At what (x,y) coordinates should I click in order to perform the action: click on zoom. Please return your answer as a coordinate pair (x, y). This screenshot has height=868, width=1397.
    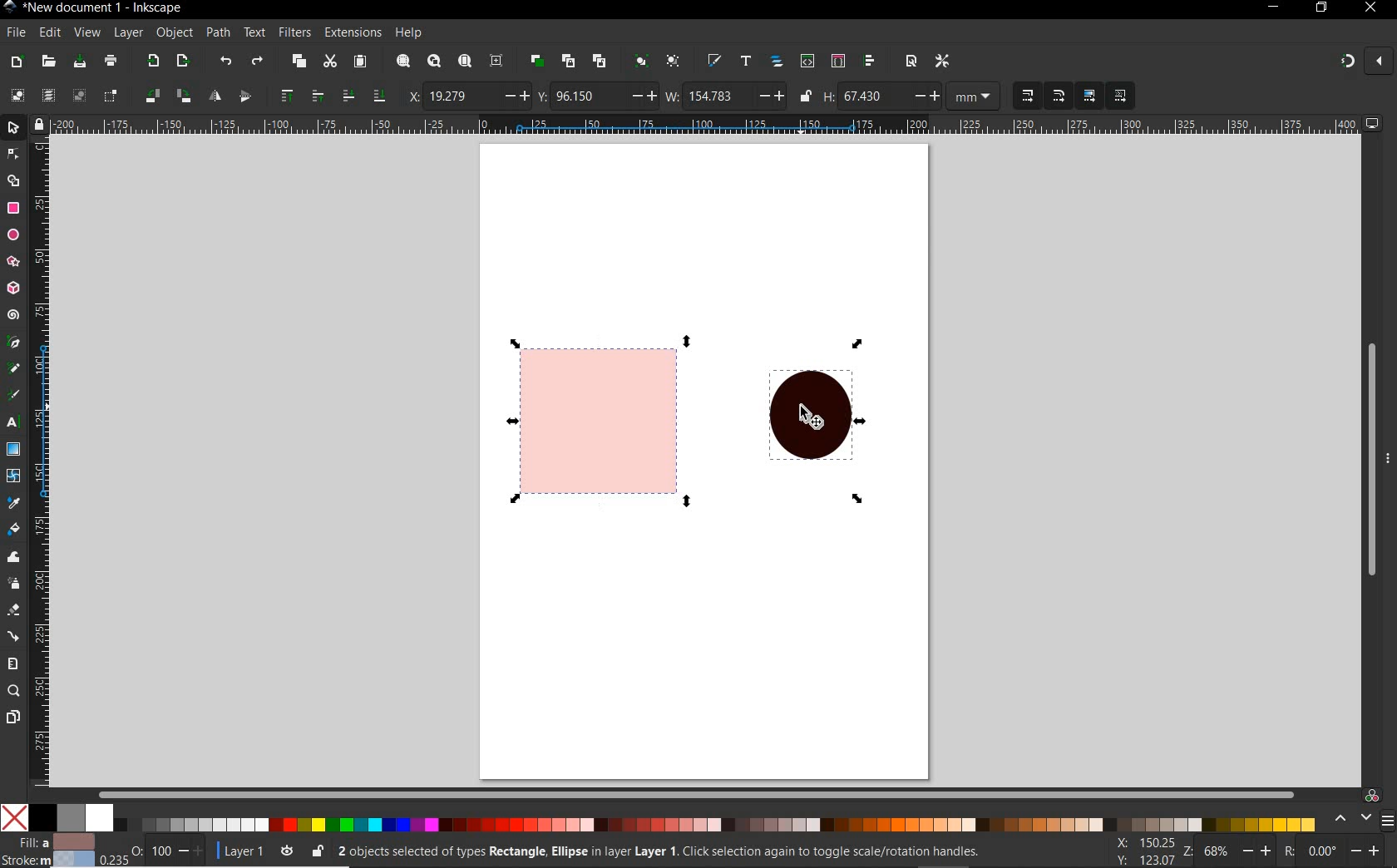
    Looking at the image, I should click on (1236, 853).